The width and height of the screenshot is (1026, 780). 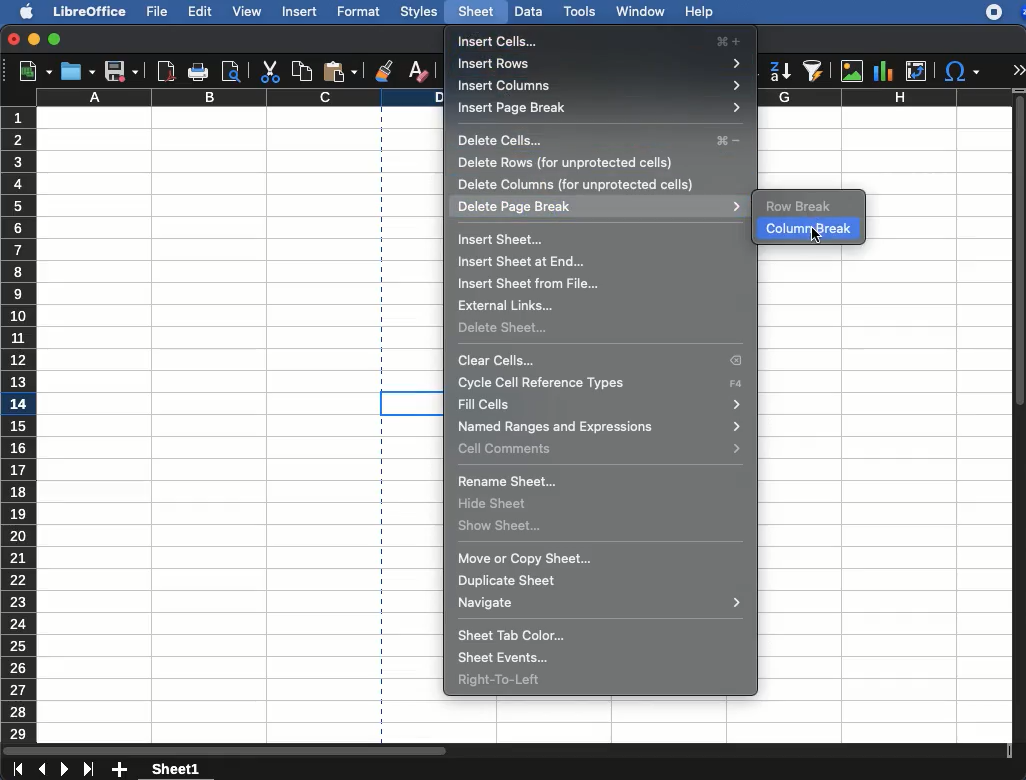 What do you see at coordinates (820, 234) in the screenshot?
I see `click` at bounding box center [820, 234].